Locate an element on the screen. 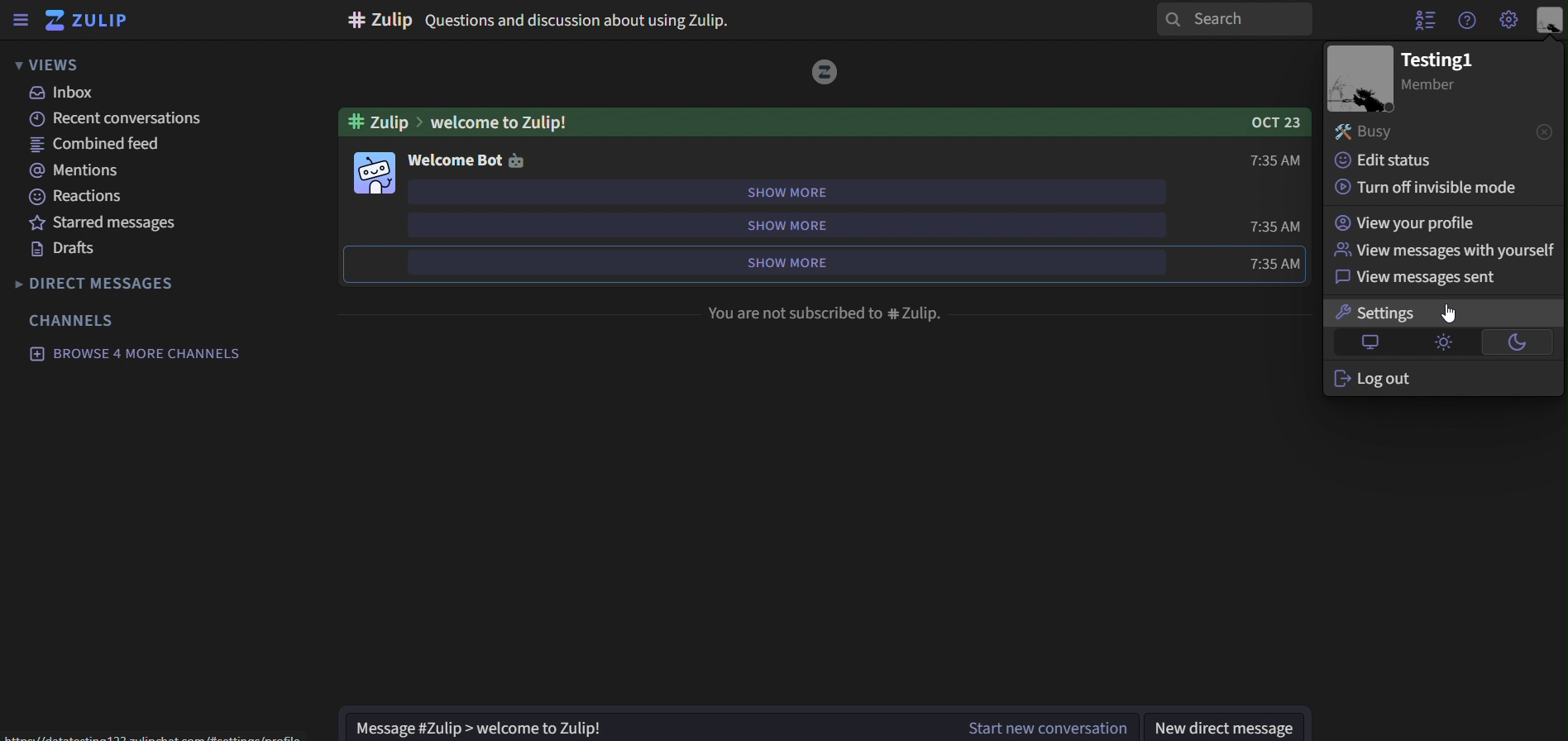 This screenshot has height=741, width=1568. 7:35am is located at coordinates (1278, 162).